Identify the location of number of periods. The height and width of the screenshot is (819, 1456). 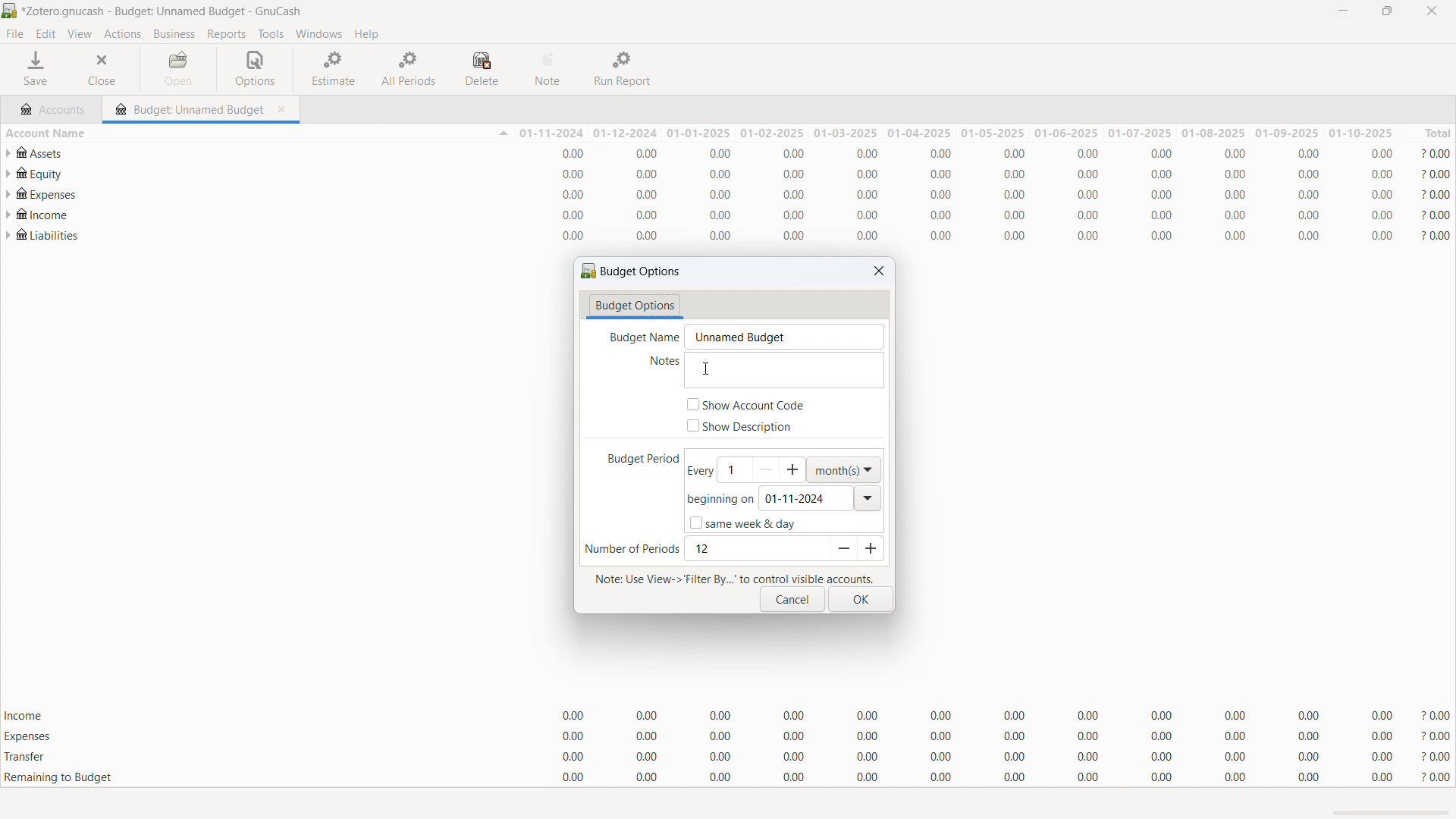
(632, 550).